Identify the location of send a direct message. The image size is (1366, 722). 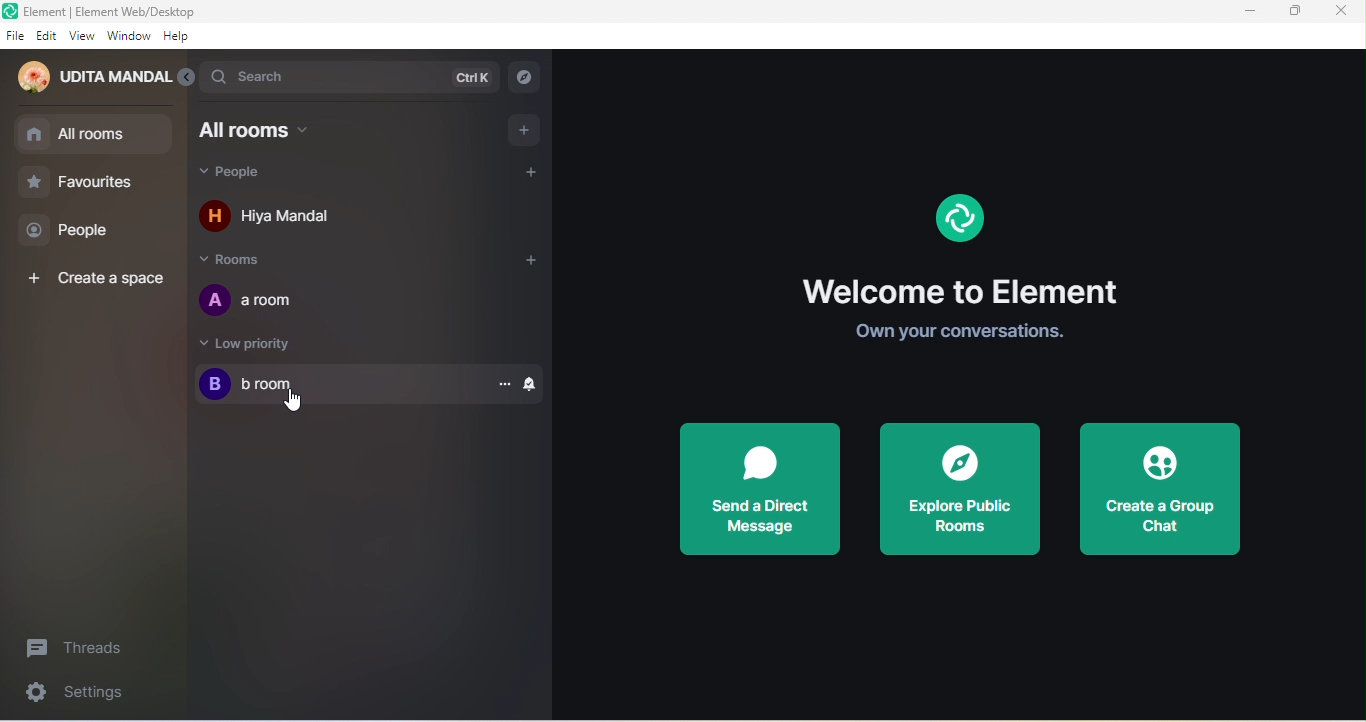
(763, 491).